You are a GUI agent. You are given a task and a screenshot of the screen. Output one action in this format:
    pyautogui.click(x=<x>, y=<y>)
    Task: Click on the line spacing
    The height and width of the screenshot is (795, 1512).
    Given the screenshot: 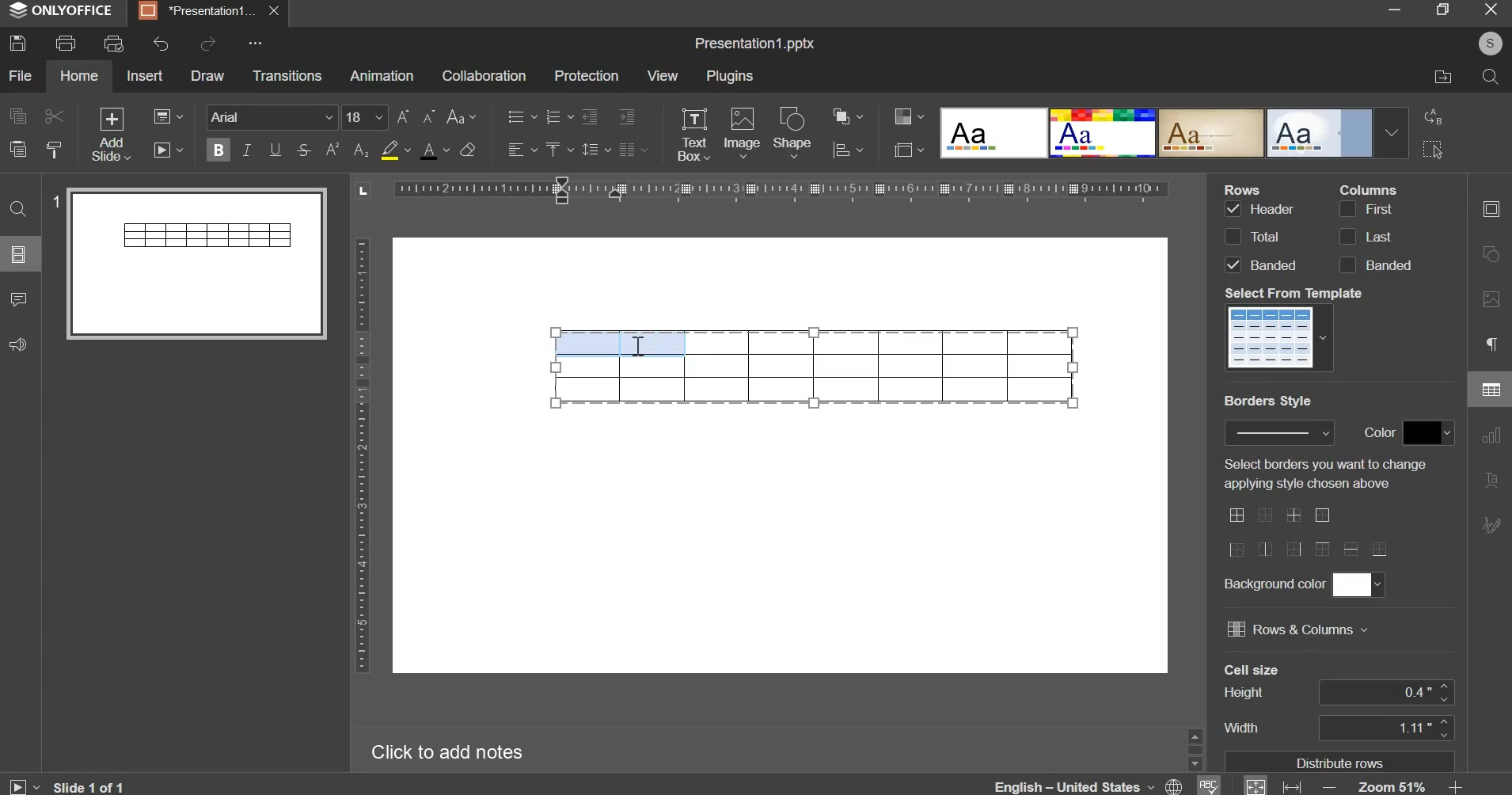 What is the action you would take?
    pyautogui.click(x=595, y=150)
    